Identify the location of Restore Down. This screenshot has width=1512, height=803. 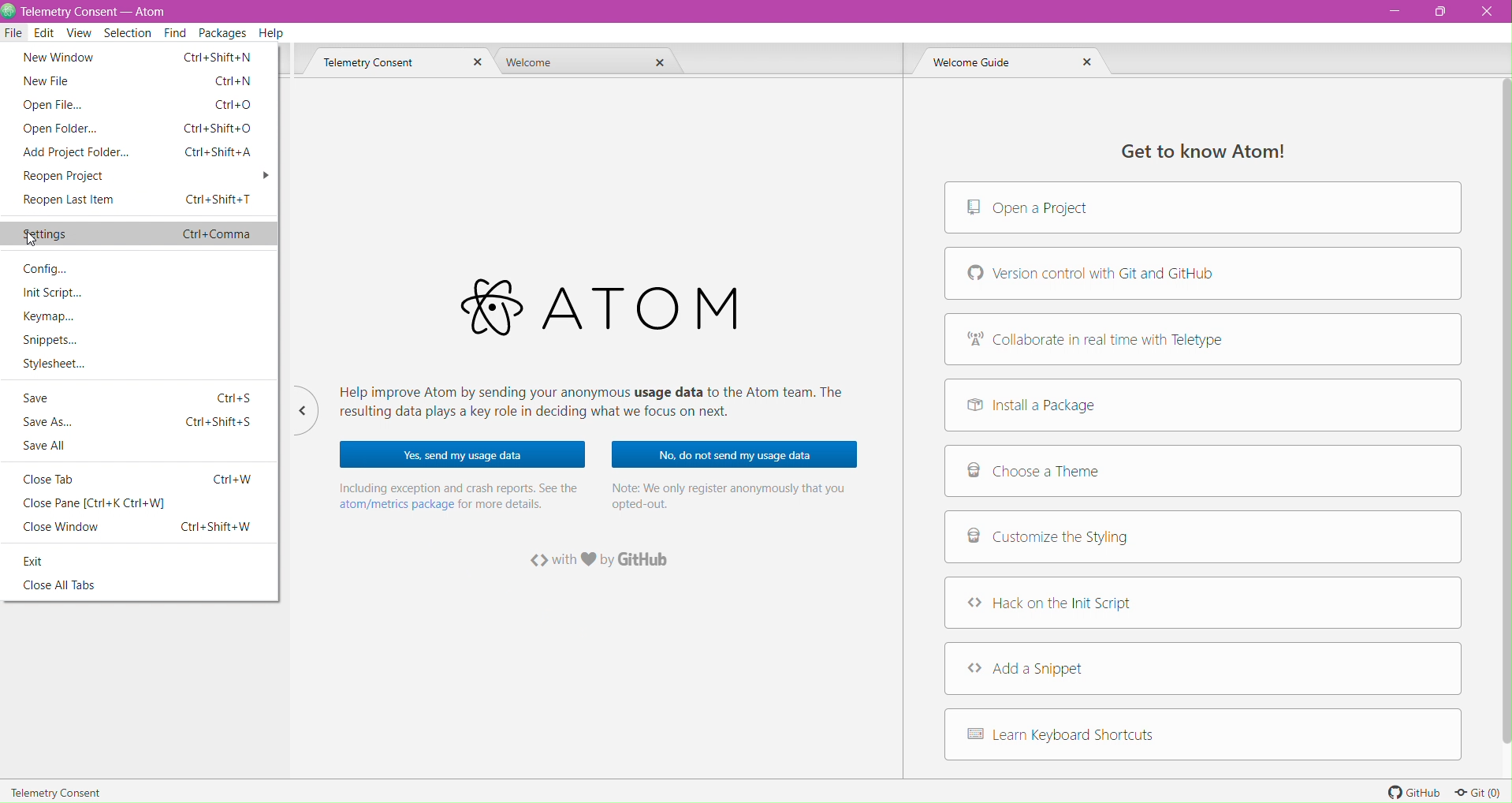
(1447, 12).